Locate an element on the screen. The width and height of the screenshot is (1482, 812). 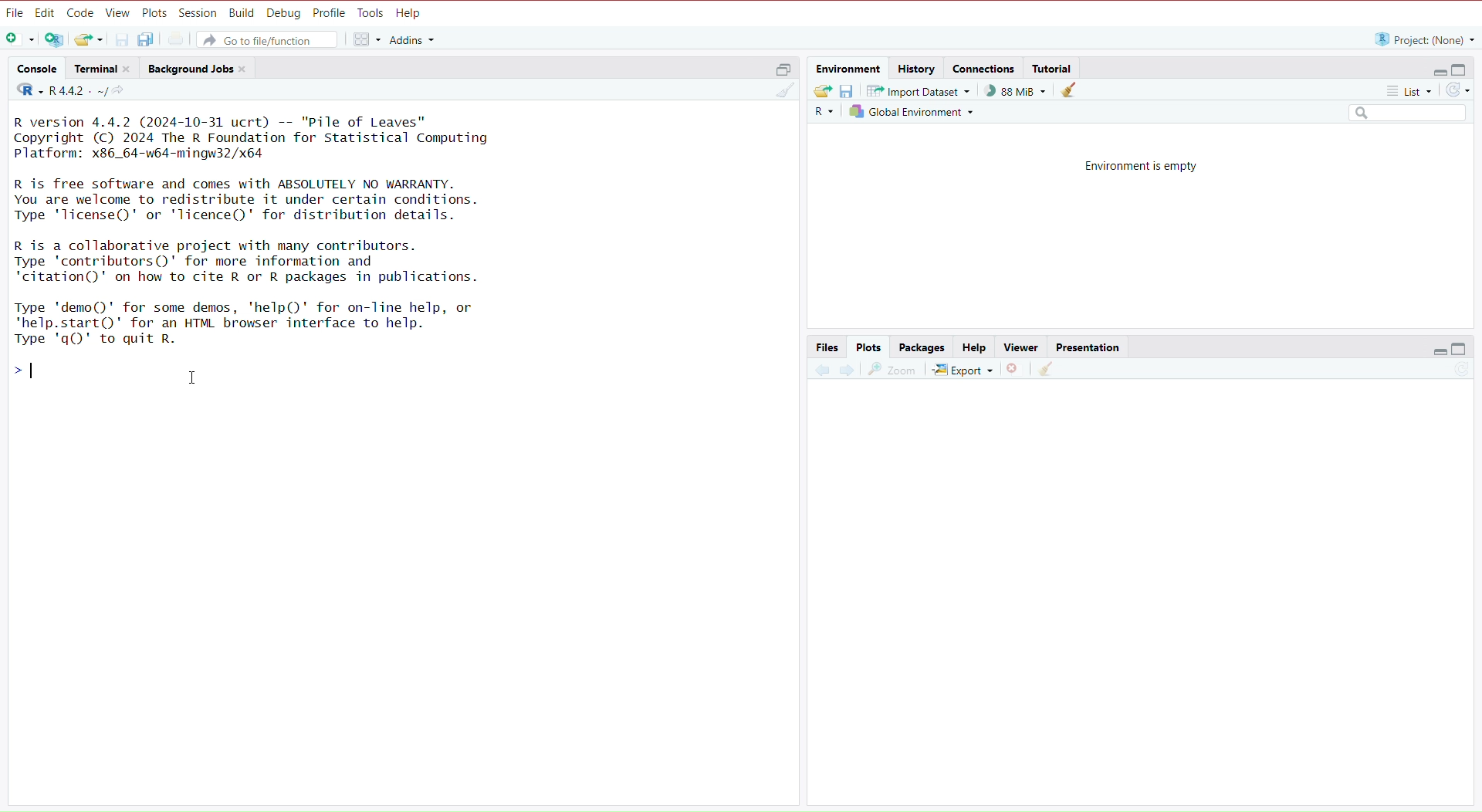
Half height is located at coordinates (783, 67).